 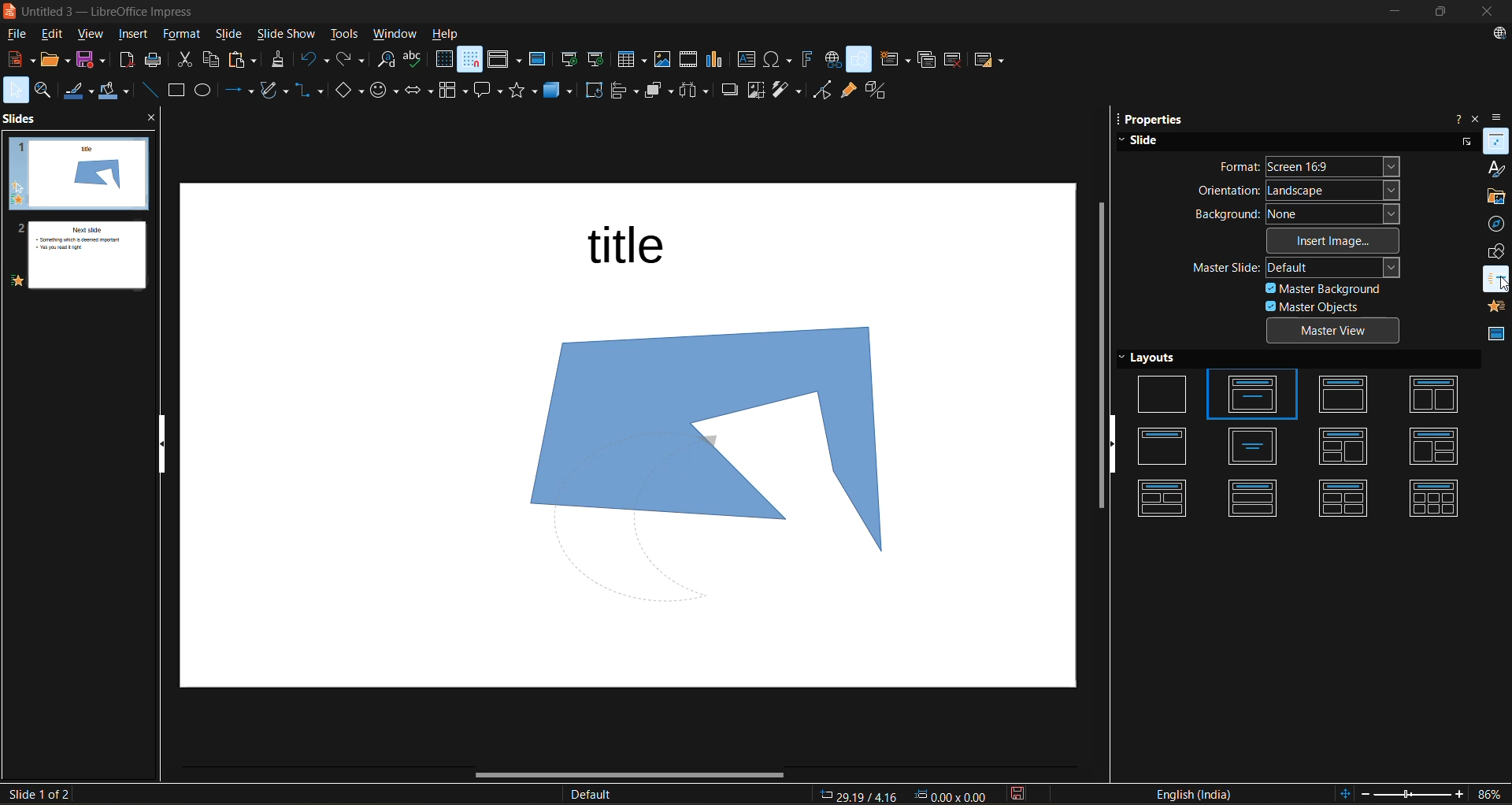 I want to click on stars and banners, so click(x=528, y=91).